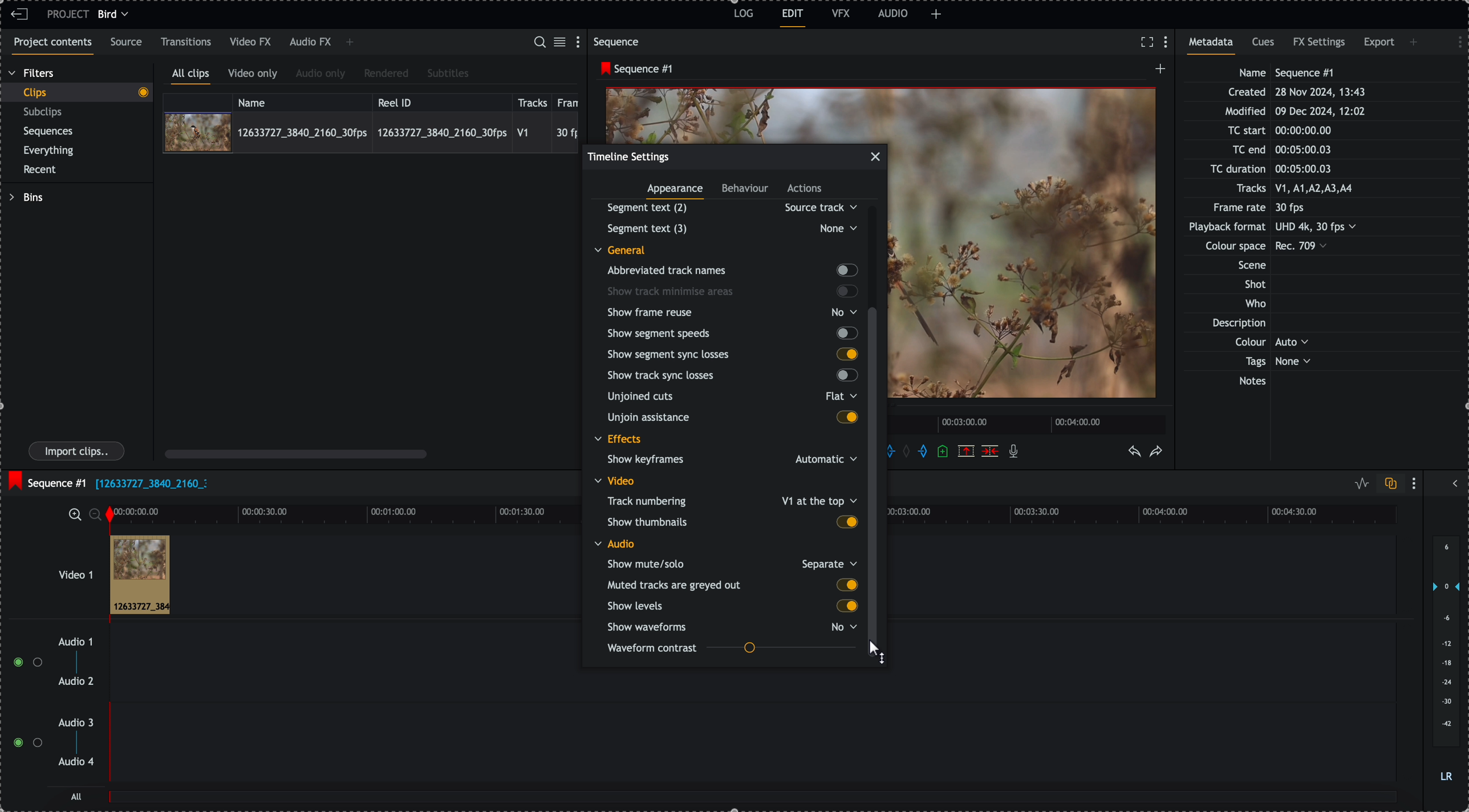 This screenshot has width=1469, height=812. Describe the element at coordinates (1168, 43) in the screenshot. I see `show settings menu` at that location.